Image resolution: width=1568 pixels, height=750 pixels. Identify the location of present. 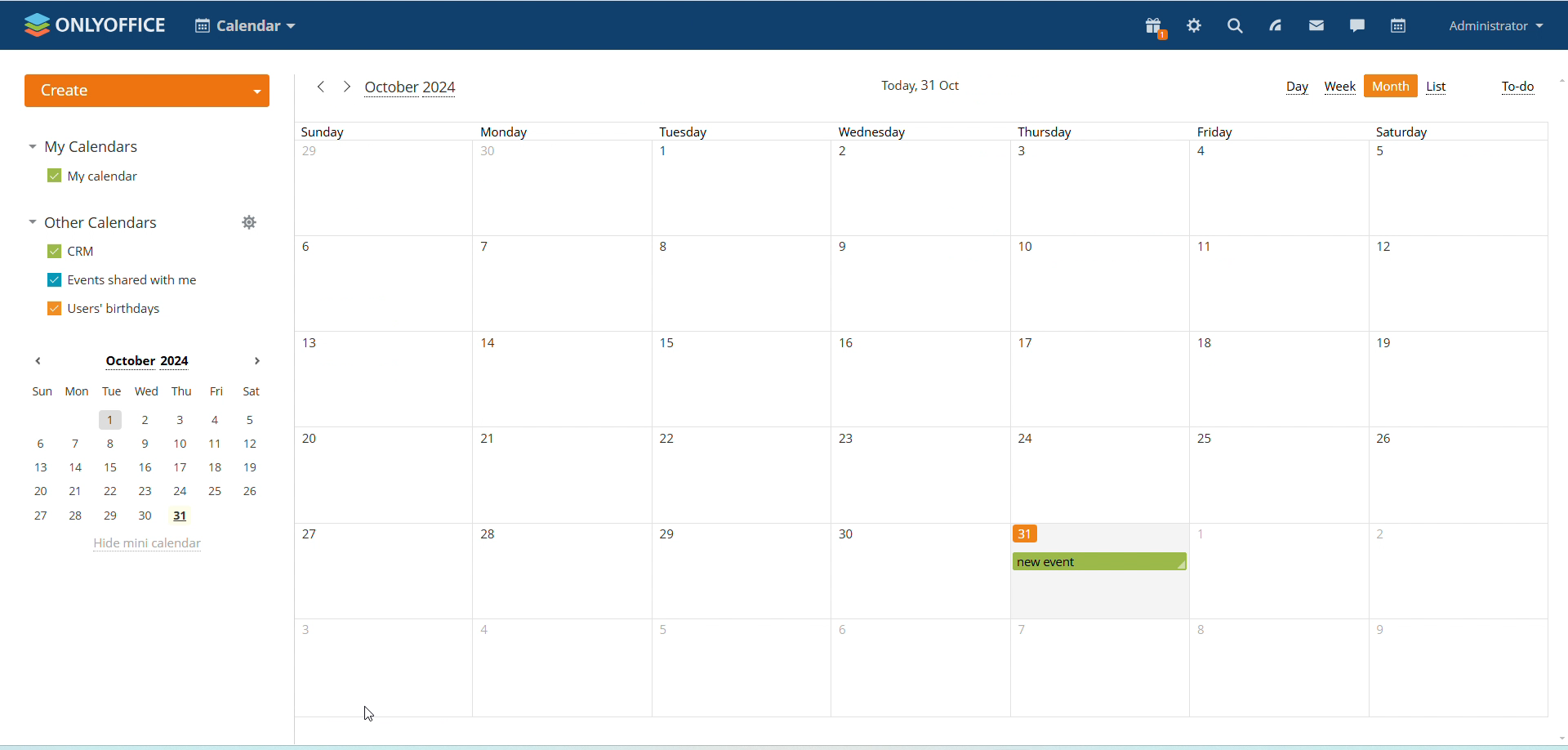
(1151, 29).